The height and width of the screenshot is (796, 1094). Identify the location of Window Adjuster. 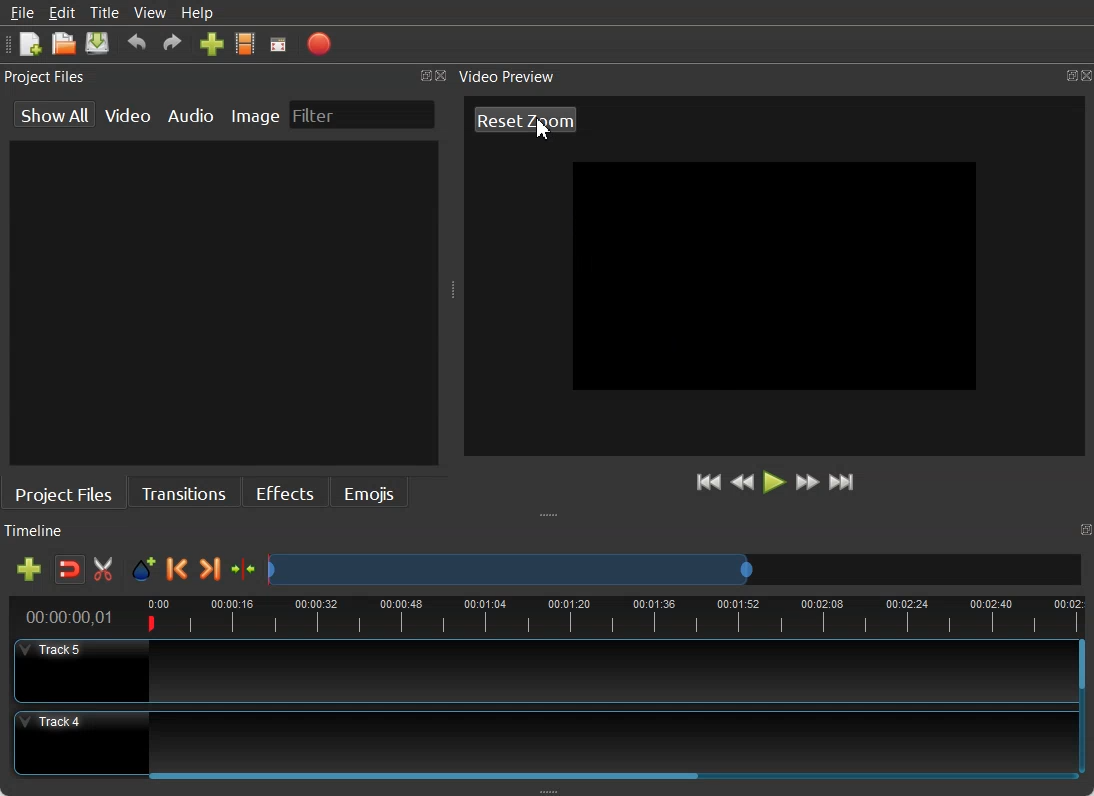
(547, 790).